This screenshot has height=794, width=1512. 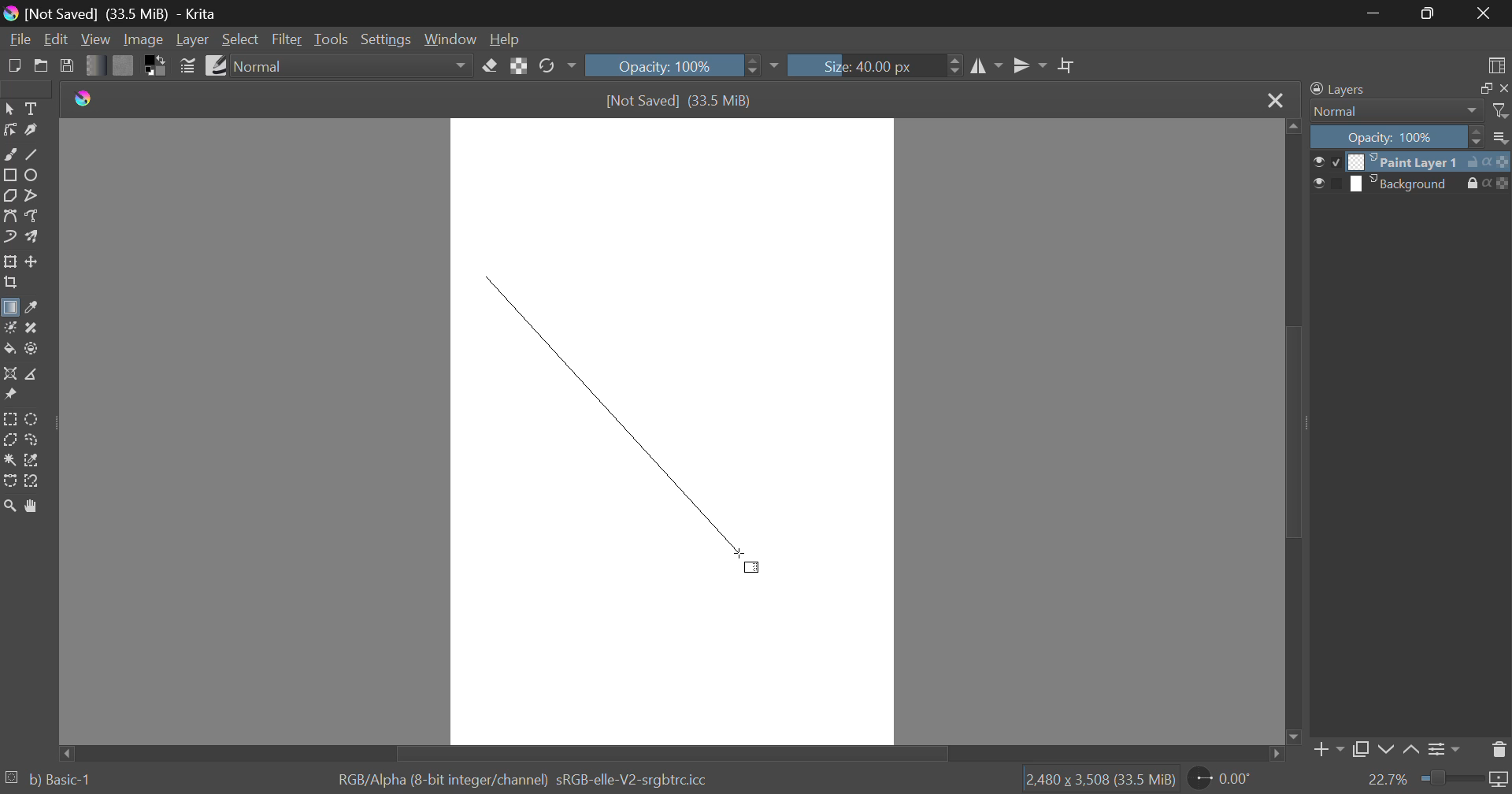 I want to click on Gradient Fill Angle Line, so click(x=606, y=406).